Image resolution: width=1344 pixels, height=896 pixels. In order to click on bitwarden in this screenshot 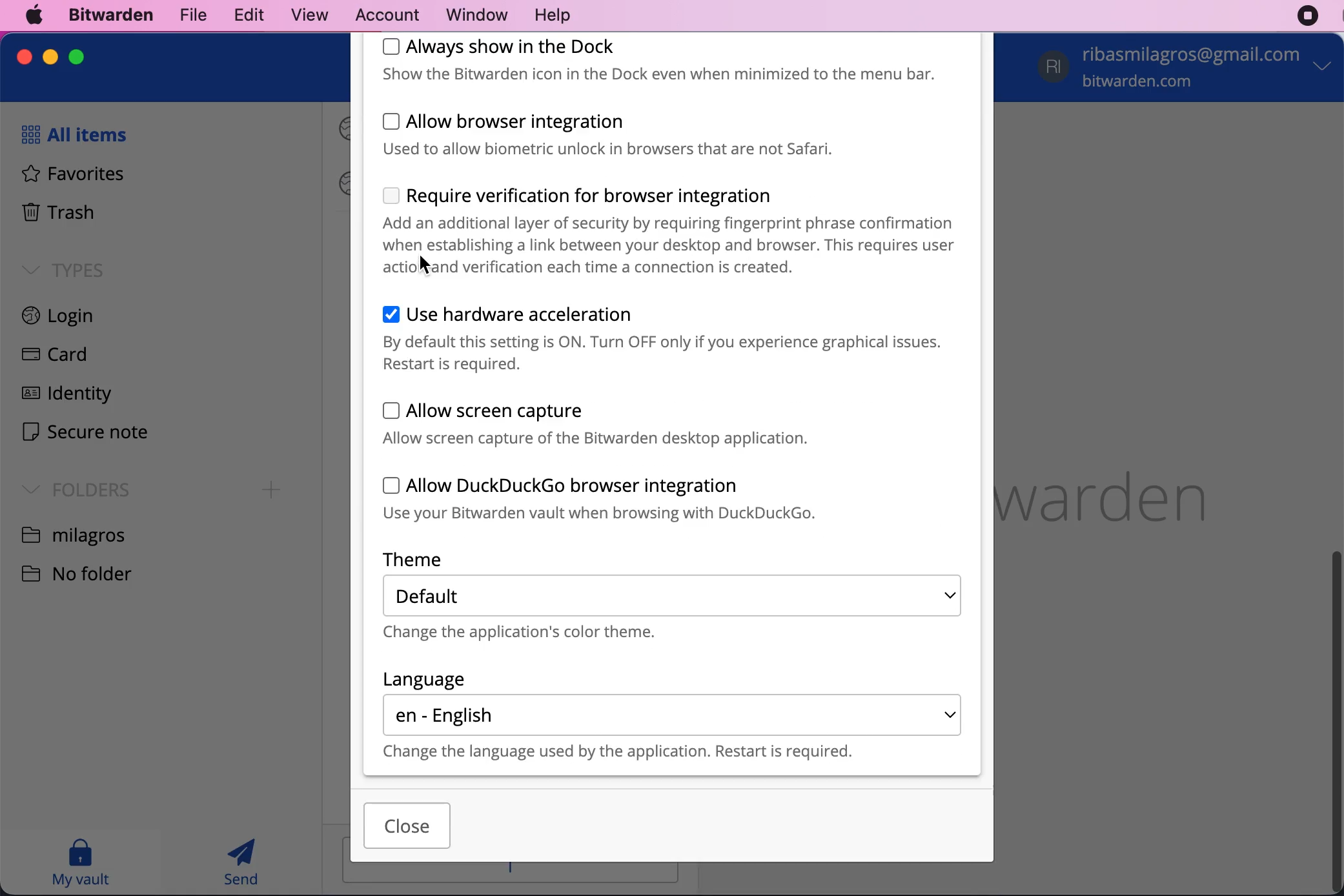, I will do `click(108, 16)`.